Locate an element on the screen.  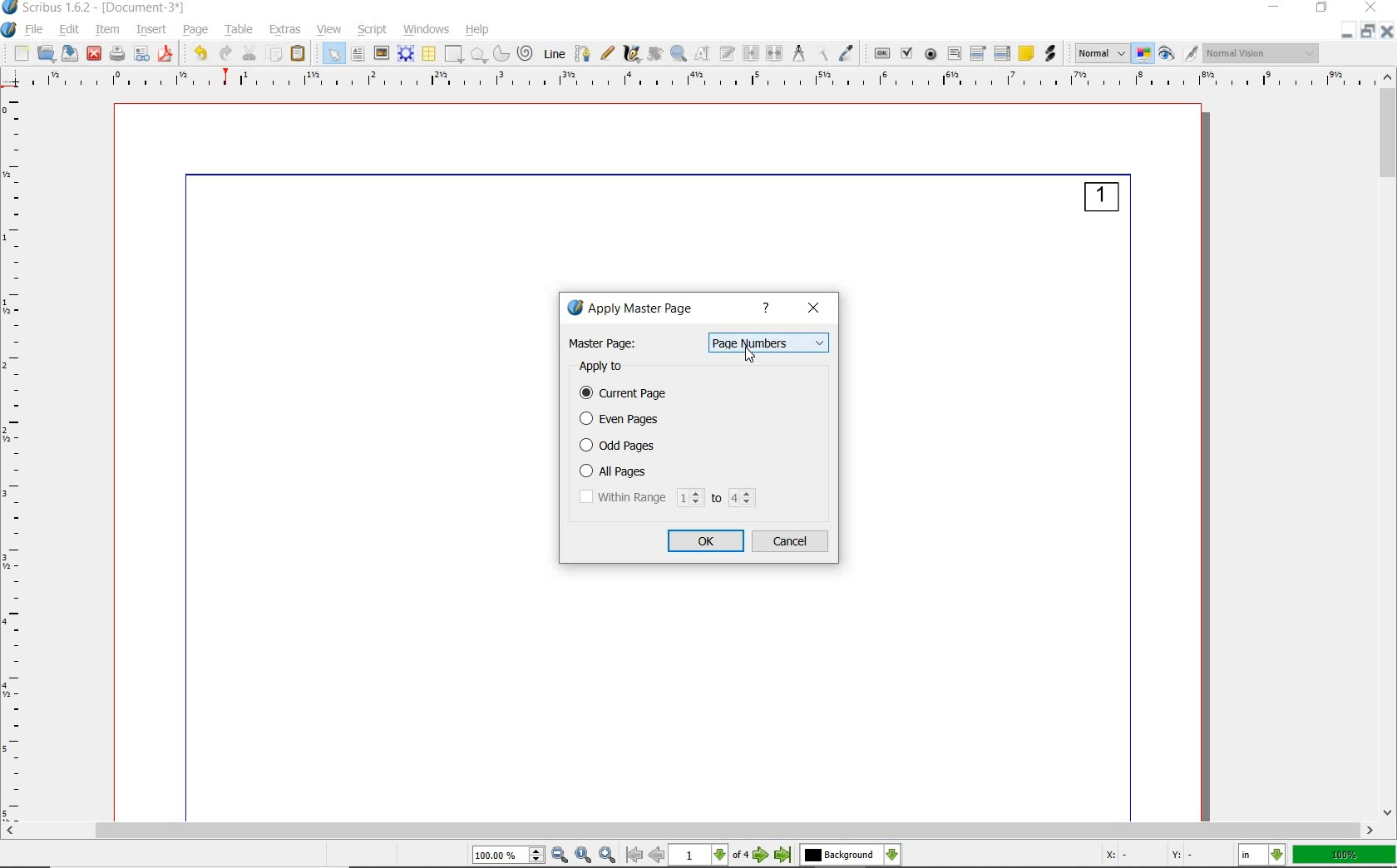
table is located at coordinates (429, 52).